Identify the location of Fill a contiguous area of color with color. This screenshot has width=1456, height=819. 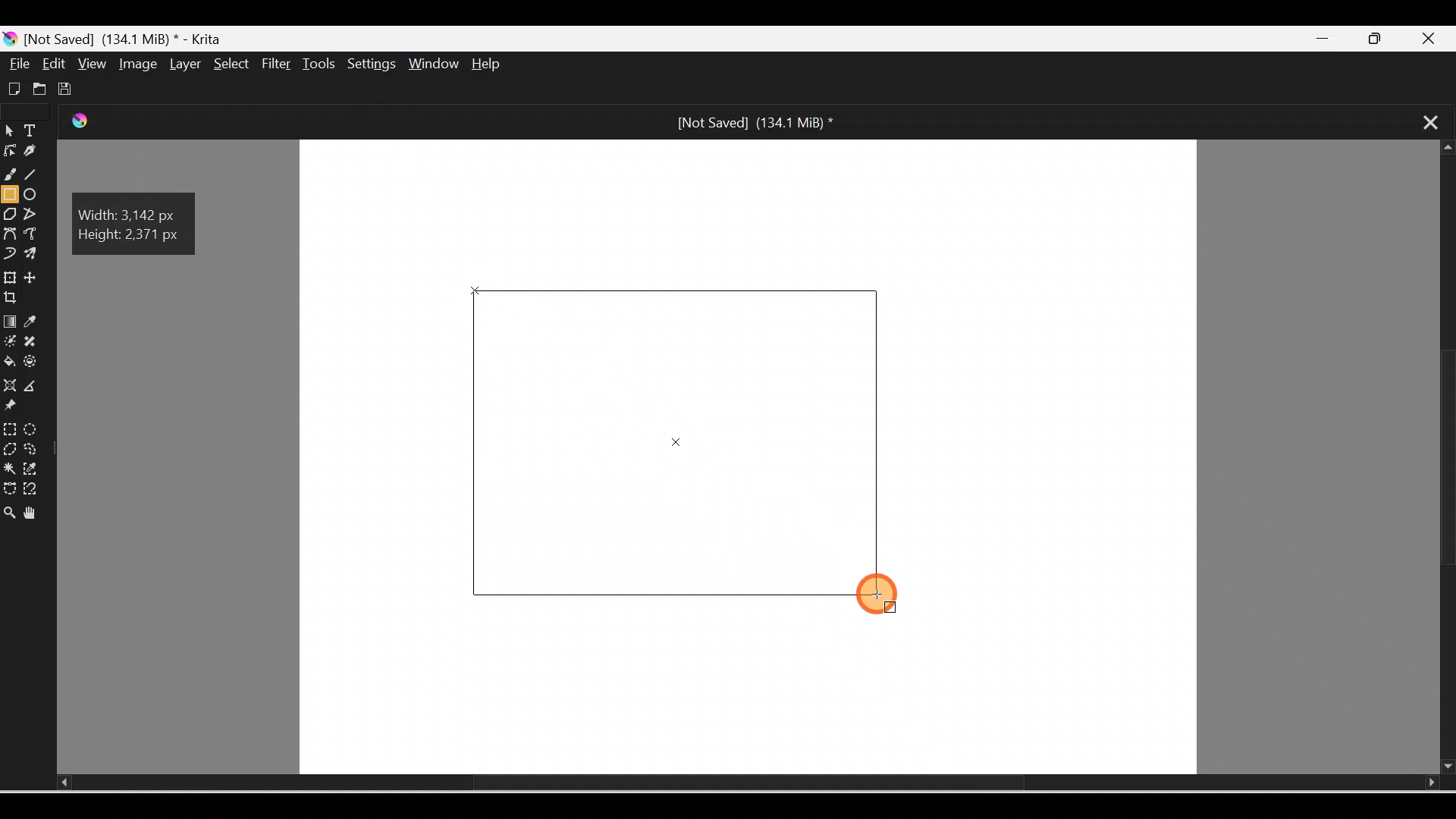
(10, 362).